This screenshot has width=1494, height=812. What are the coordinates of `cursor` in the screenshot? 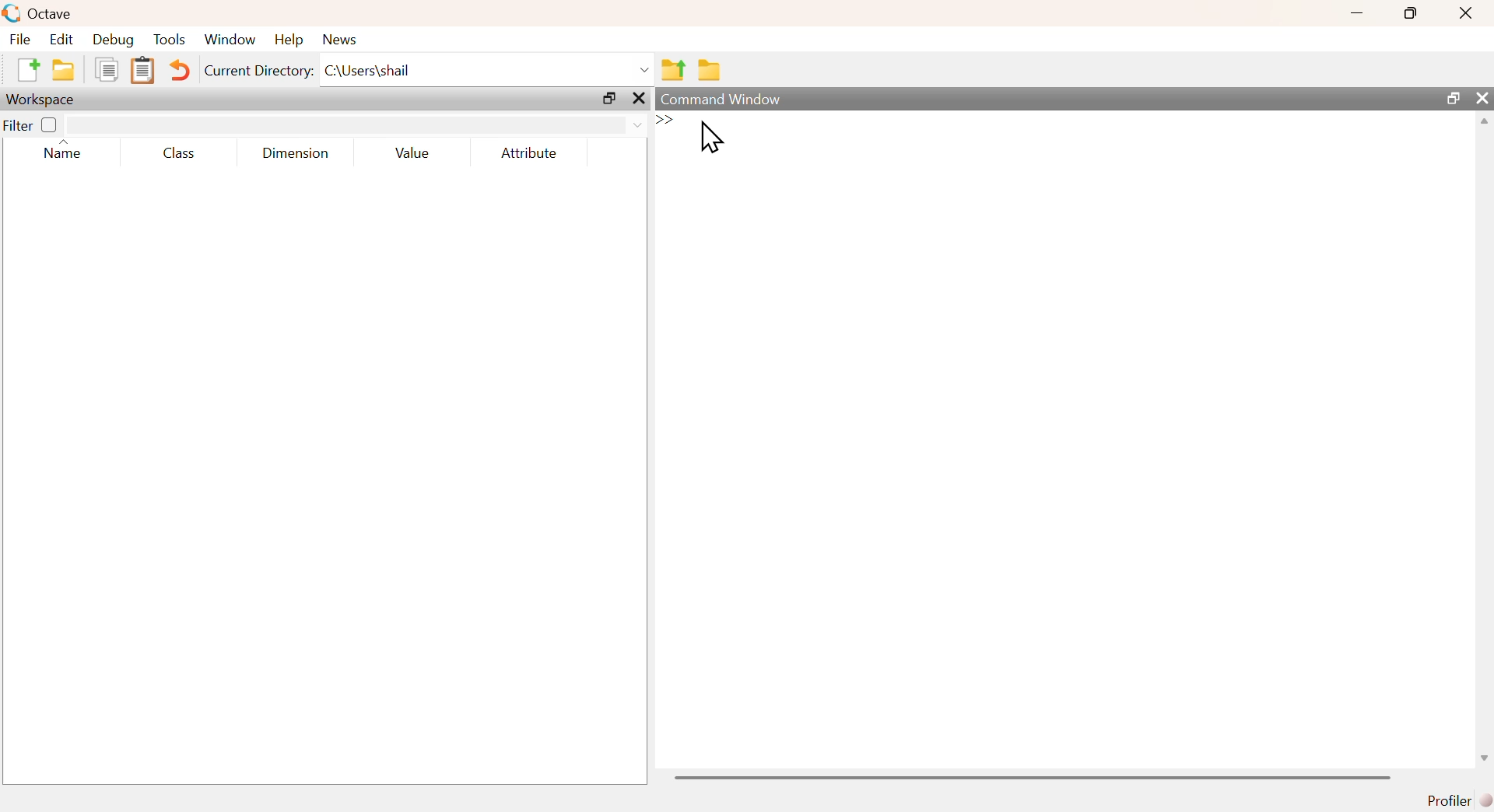 It's located at (712, 140).